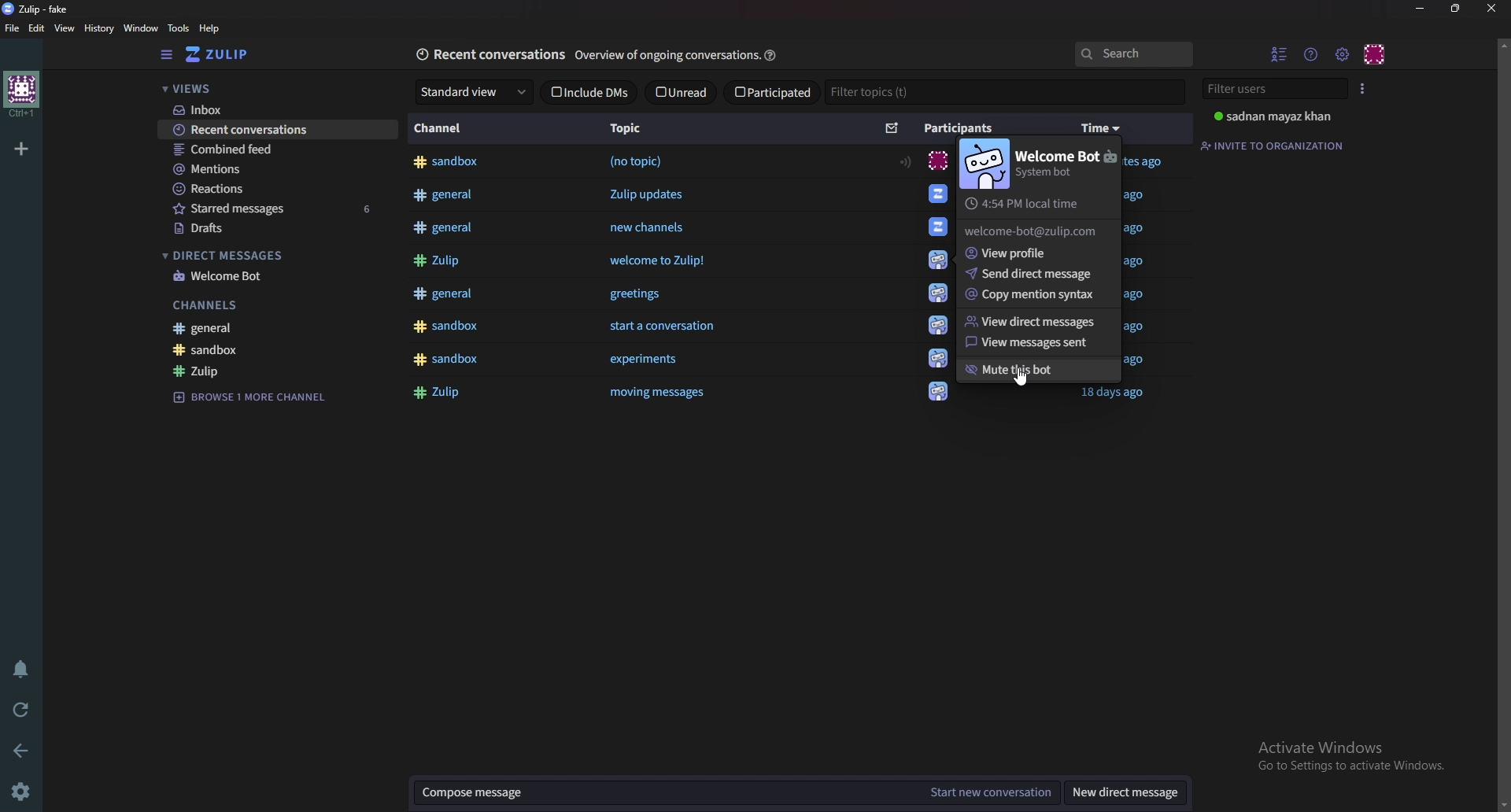 This screenshot has height=812, width=1511. Describe the element at coordinates (68, 28) in the screenshot. I see `view` at that location.